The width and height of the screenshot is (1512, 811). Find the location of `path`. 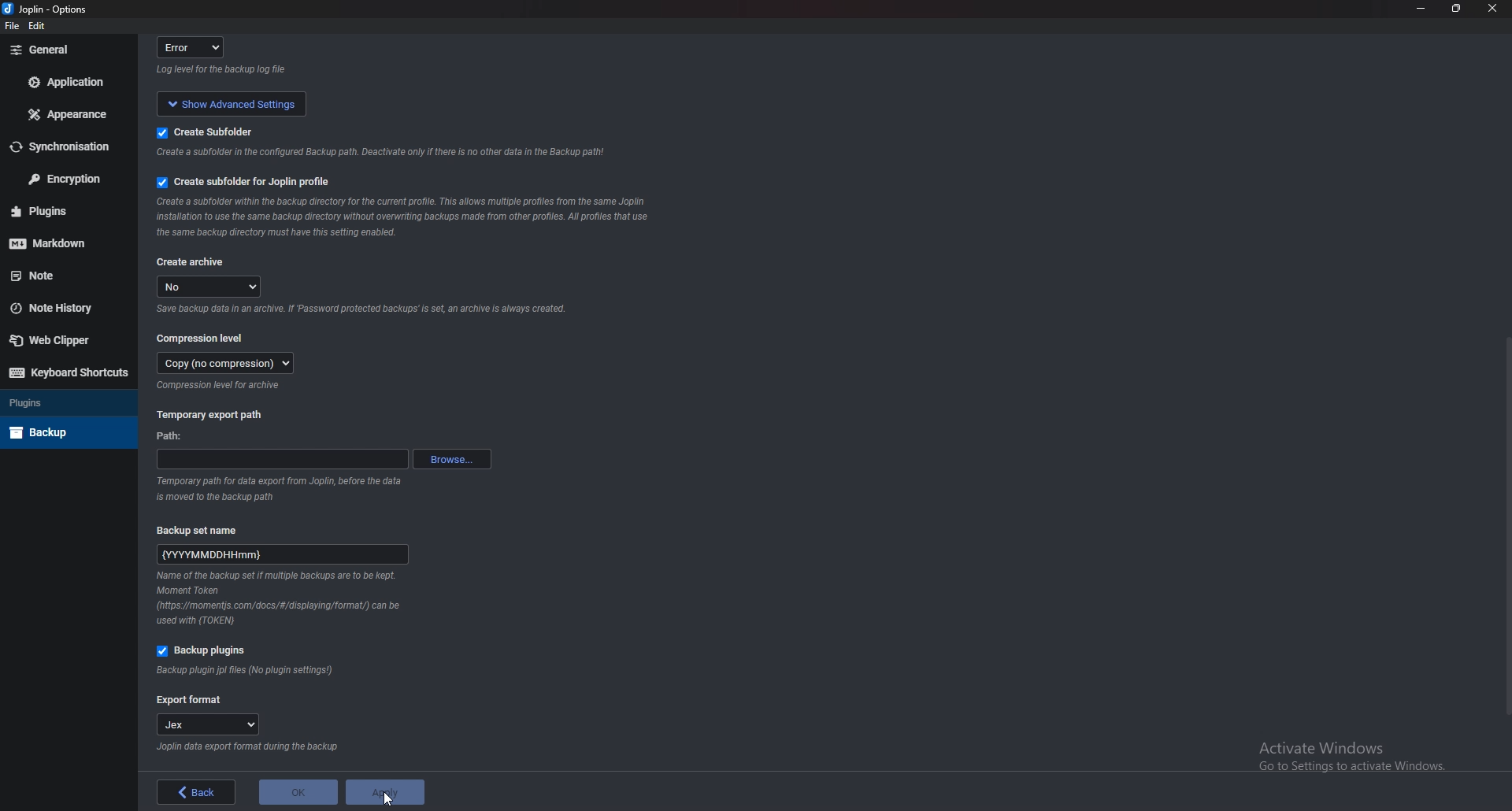

path is located at coordinates (282, 459).